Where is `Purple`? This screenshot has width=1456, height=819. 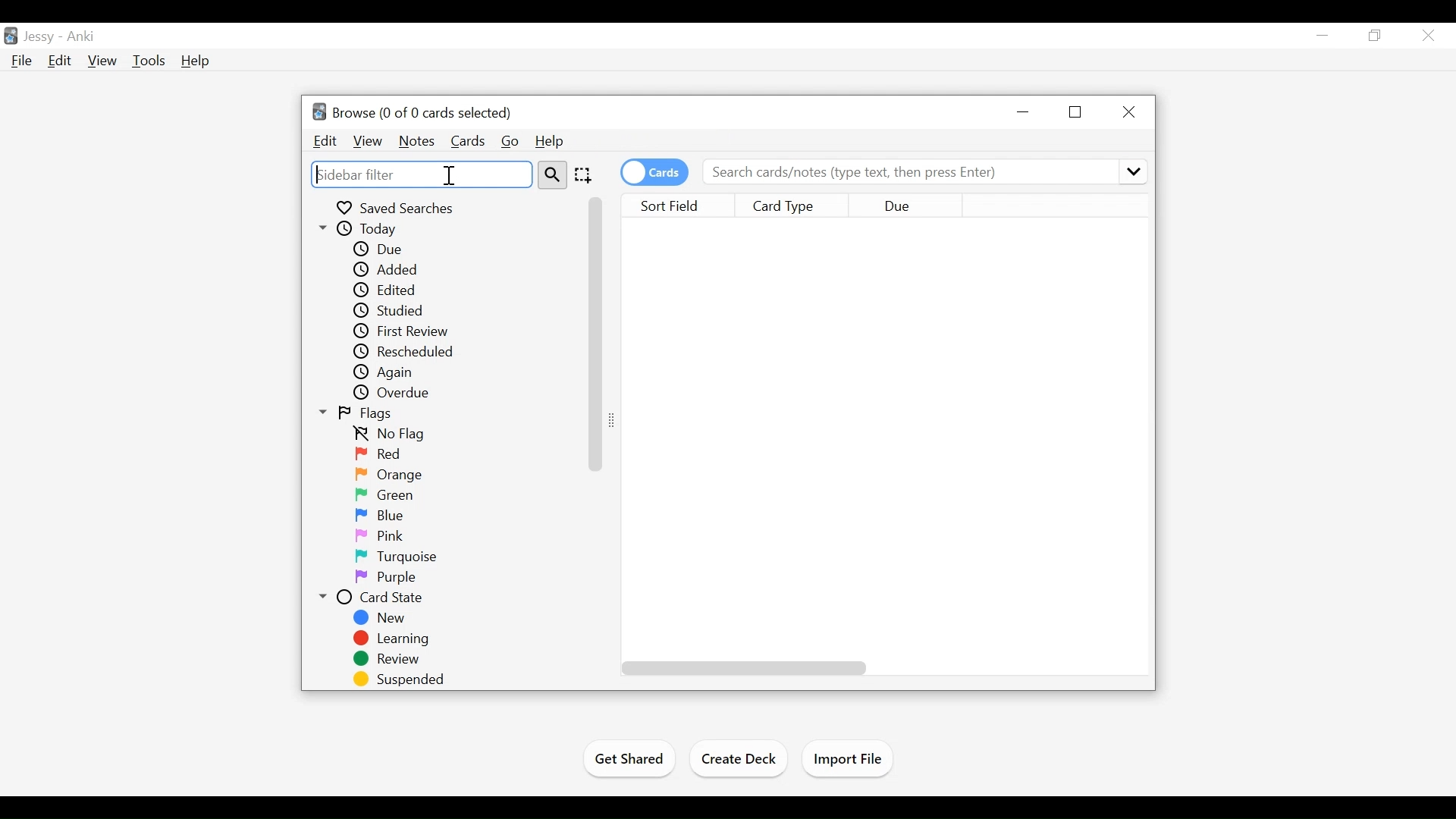 Purple is located at coordinates (384, 578).